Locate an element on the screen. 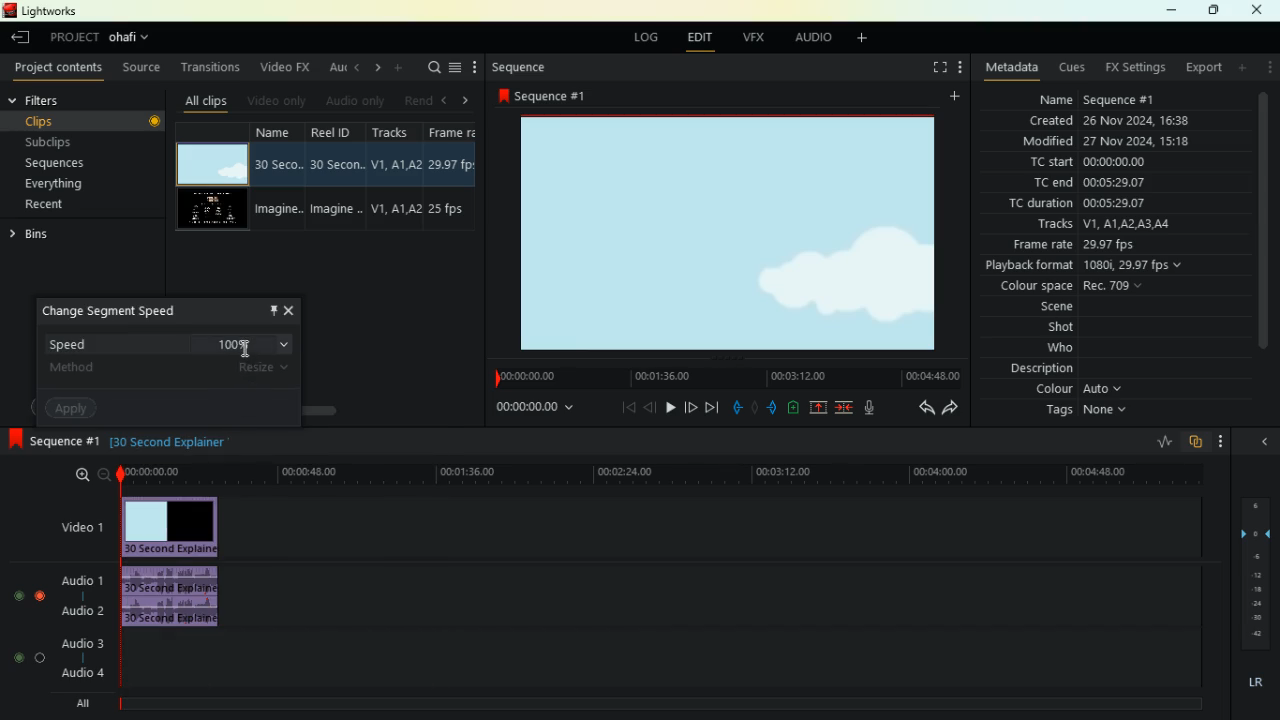 This screenshot has width=1280, height=720. push is located at coordinates (774, 408).